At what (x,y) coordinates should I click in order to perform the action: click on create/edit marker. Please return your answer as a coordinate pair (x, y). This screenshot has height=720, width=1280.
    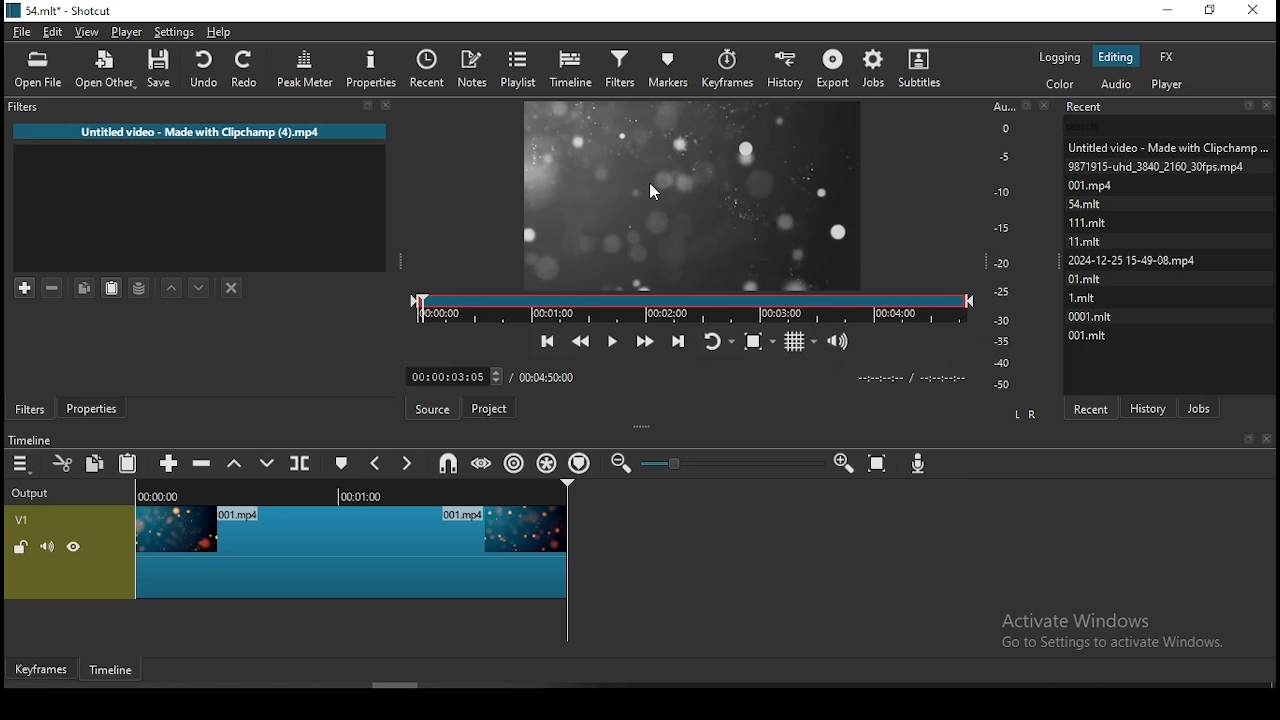
    Looking at the image, I should click on (345, 464).